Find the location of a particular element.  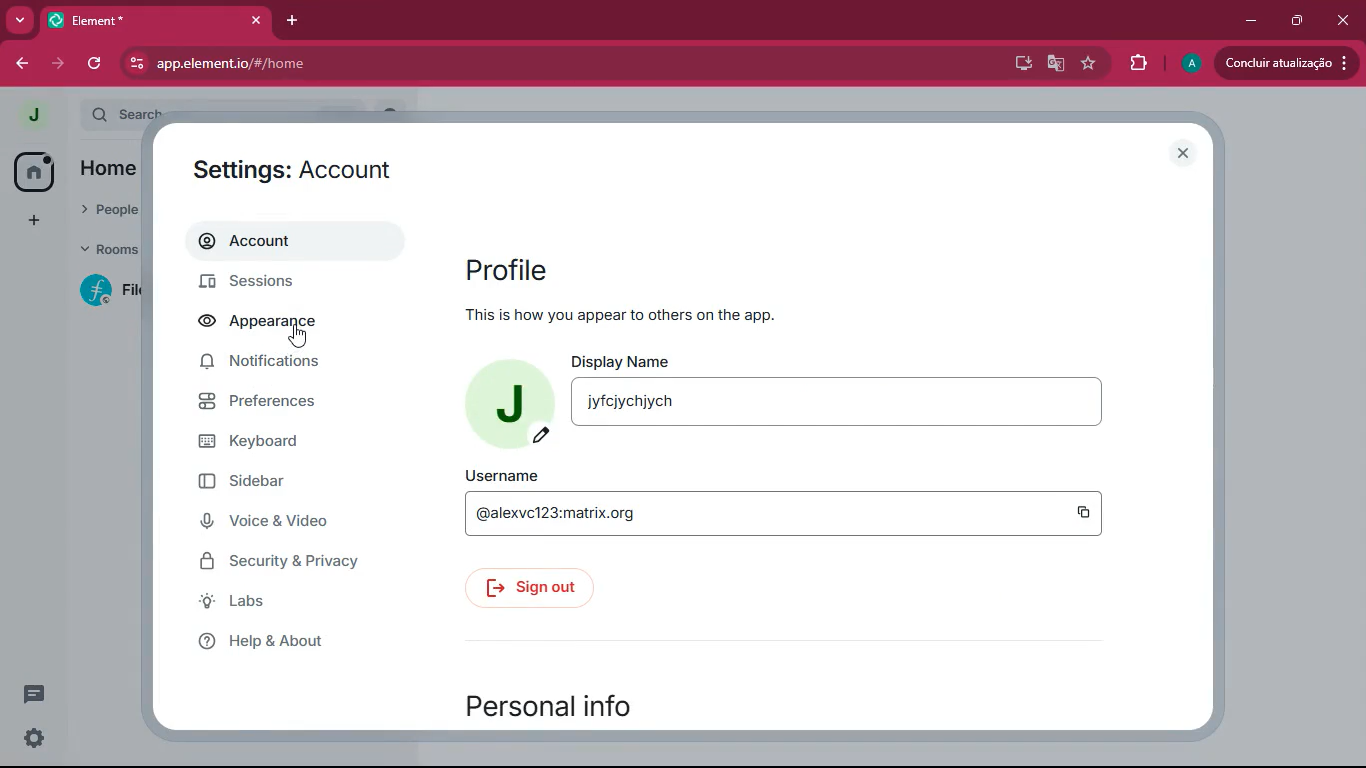

profile picture is located at coordinates (507, 397).